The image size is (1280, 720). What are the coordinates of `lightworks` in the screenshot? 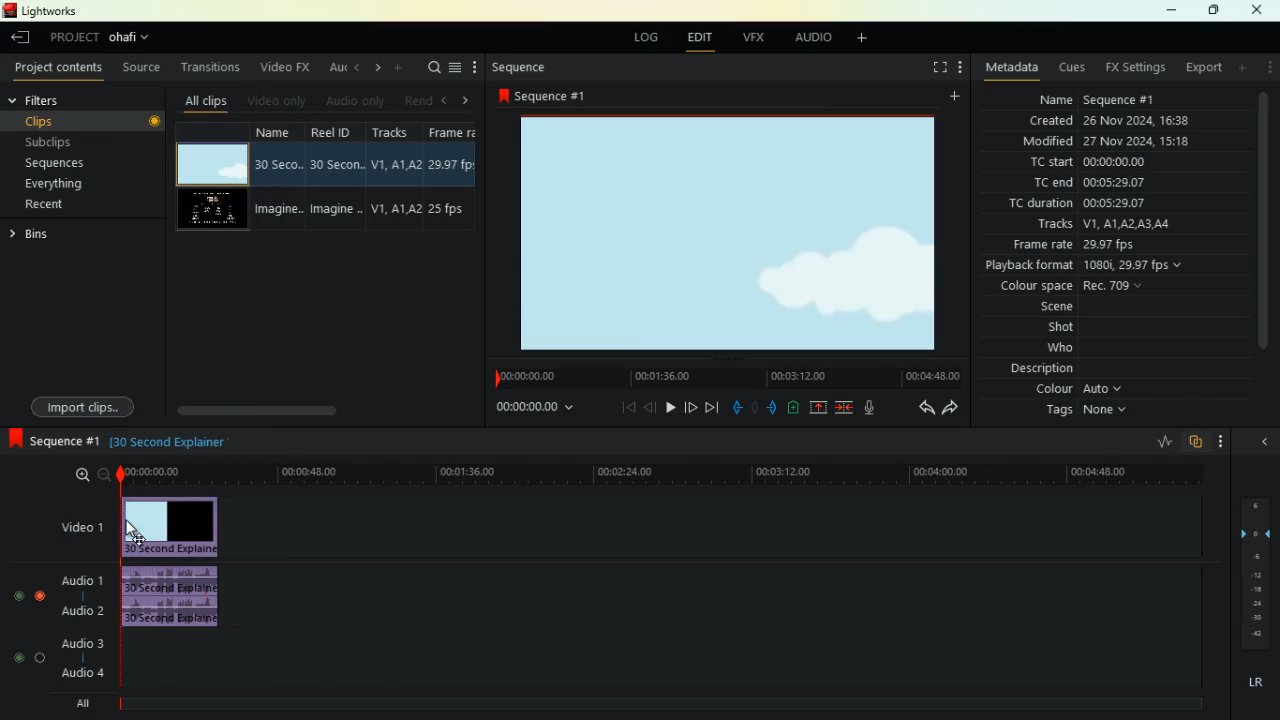 It's located at (49, 11).